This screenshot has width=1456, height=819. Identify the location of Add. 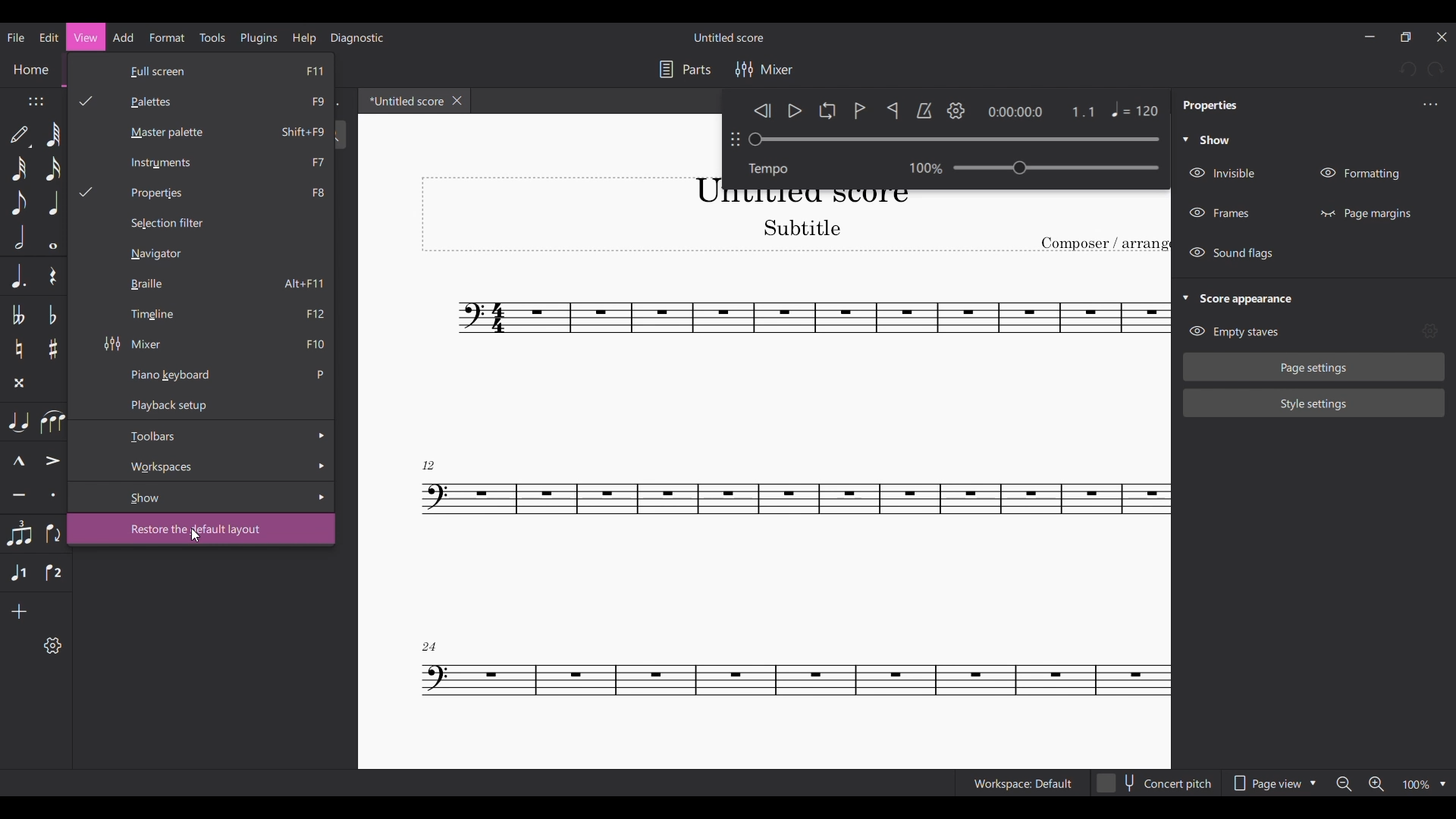
(123, 37).